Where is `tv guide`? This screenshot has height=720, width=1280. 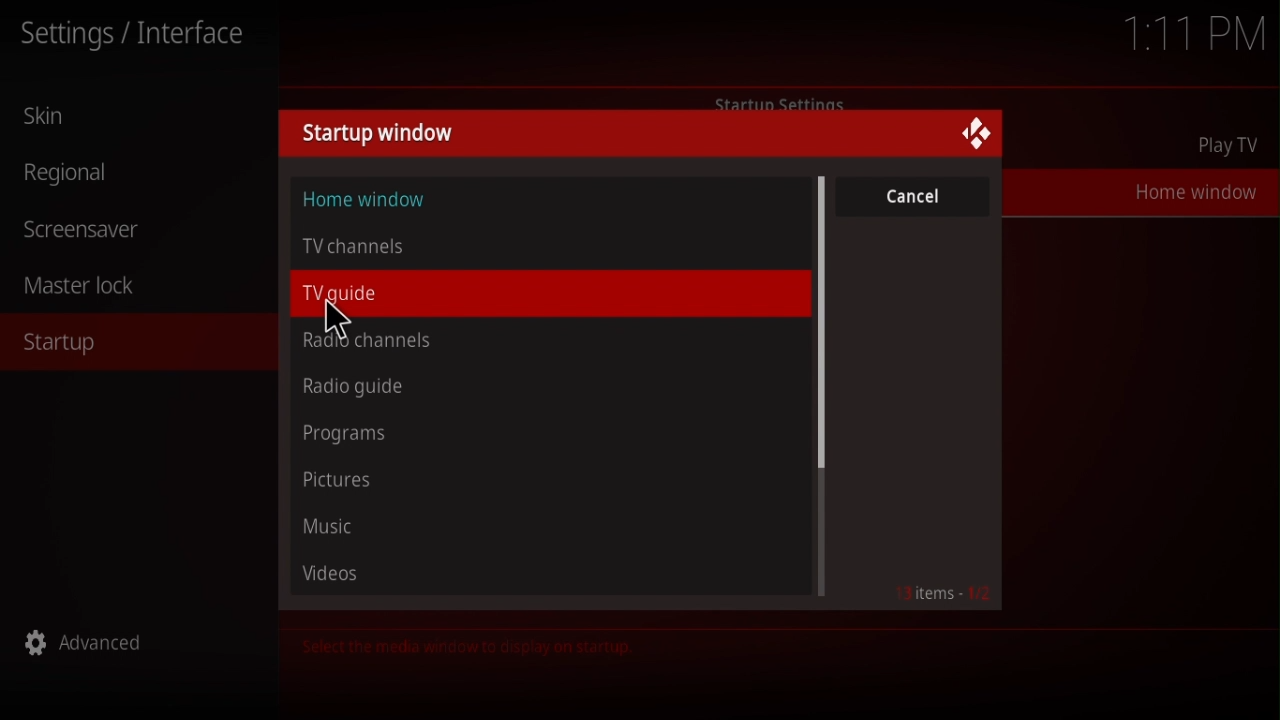 tv guide is located at coordinates (363, 295).